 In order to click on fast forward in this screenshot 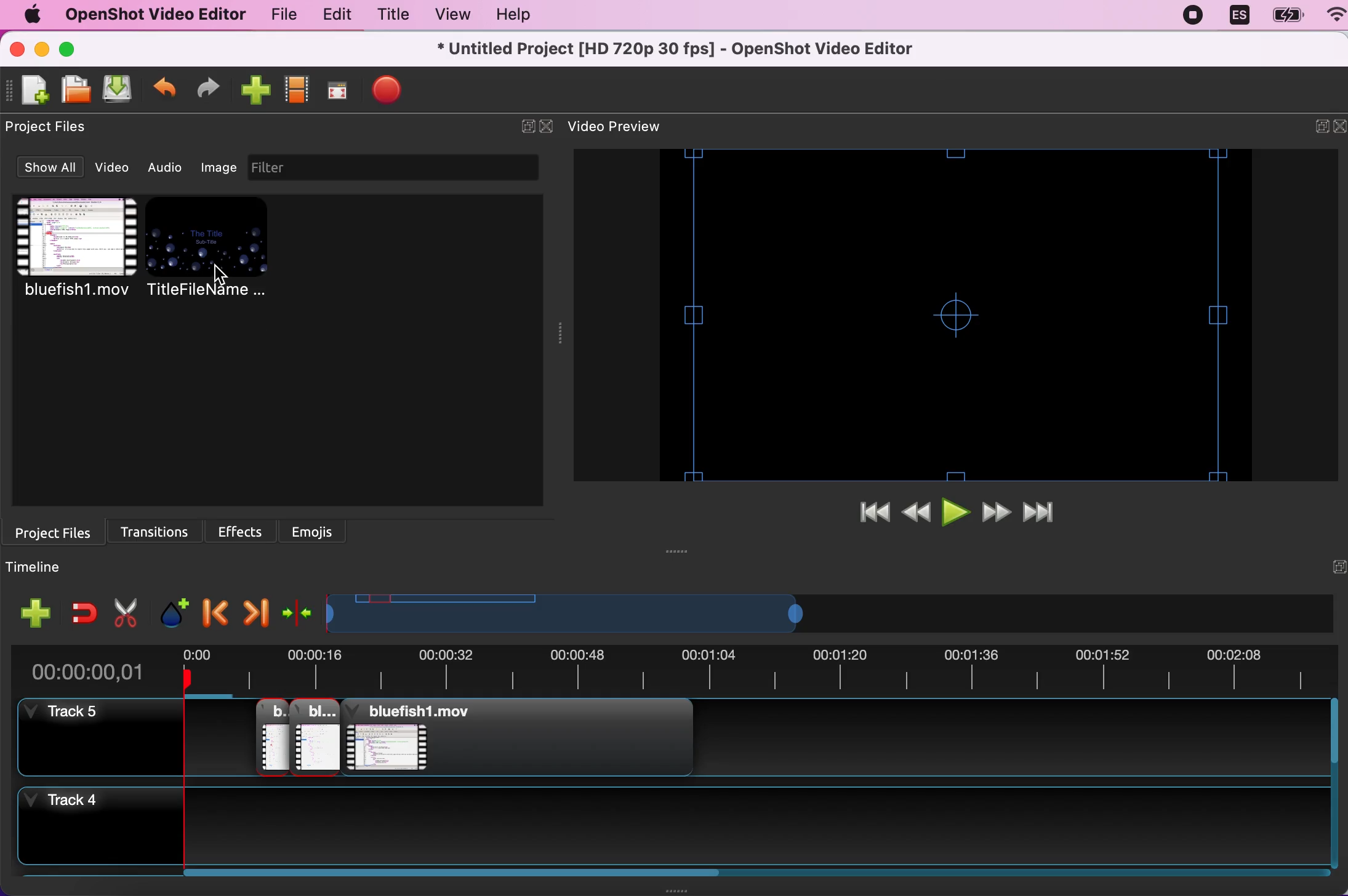, I will do `click(998, 514)`.